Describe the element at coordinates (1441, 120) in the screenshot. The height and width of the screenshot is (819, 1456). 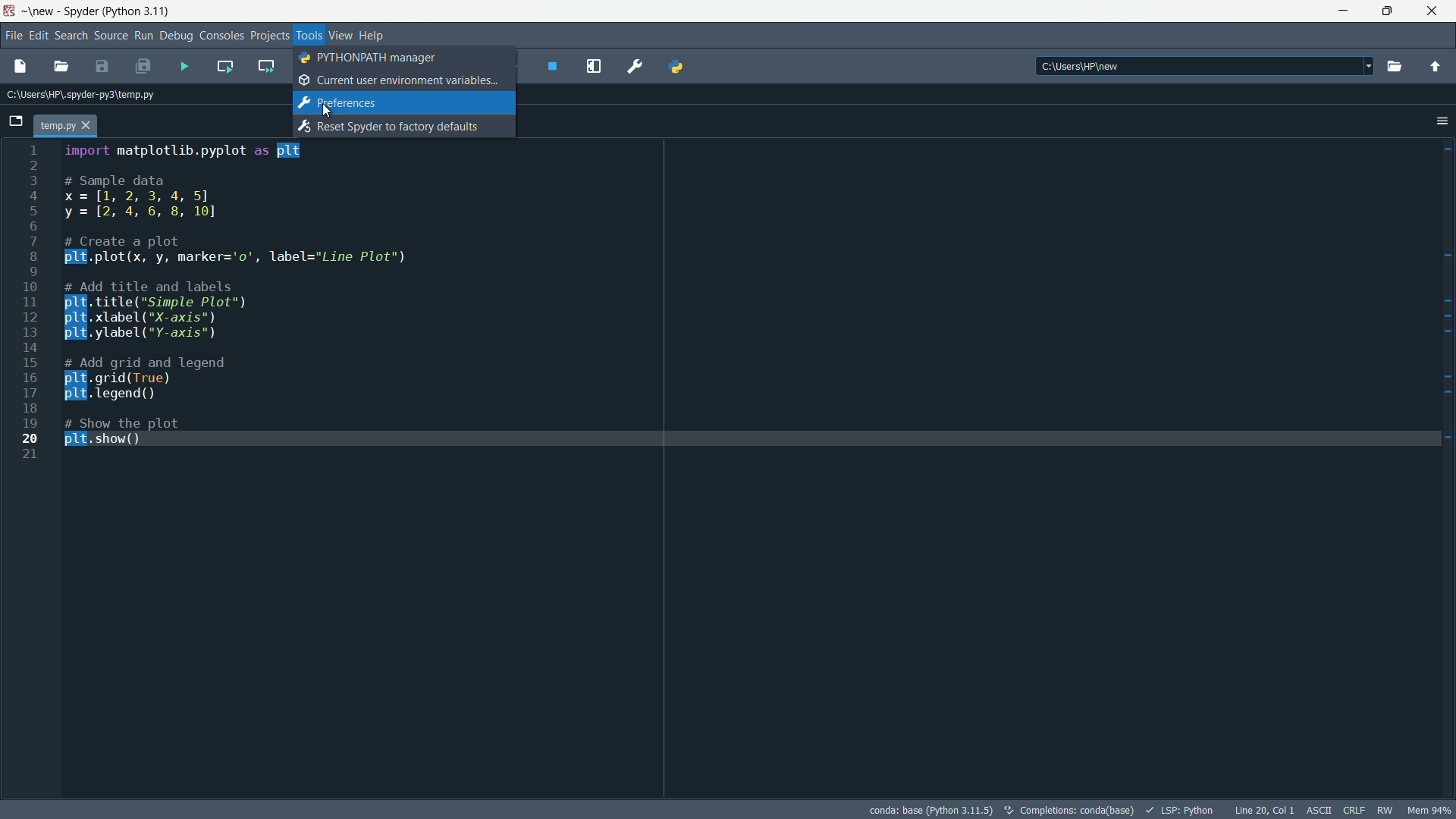
I see `options` at that location.